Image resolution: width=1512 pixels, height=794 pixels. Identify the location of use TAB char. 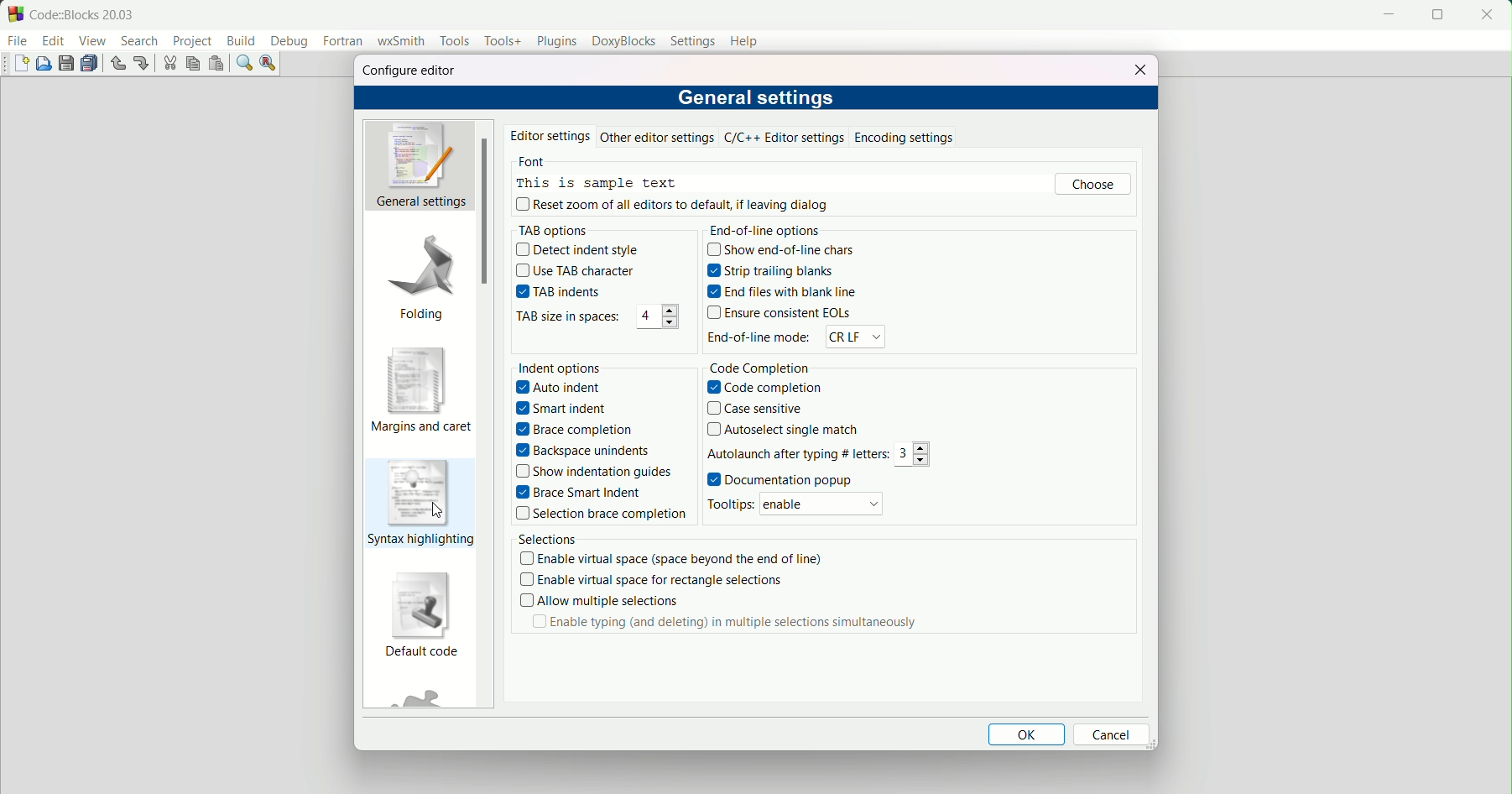
(575, 270).